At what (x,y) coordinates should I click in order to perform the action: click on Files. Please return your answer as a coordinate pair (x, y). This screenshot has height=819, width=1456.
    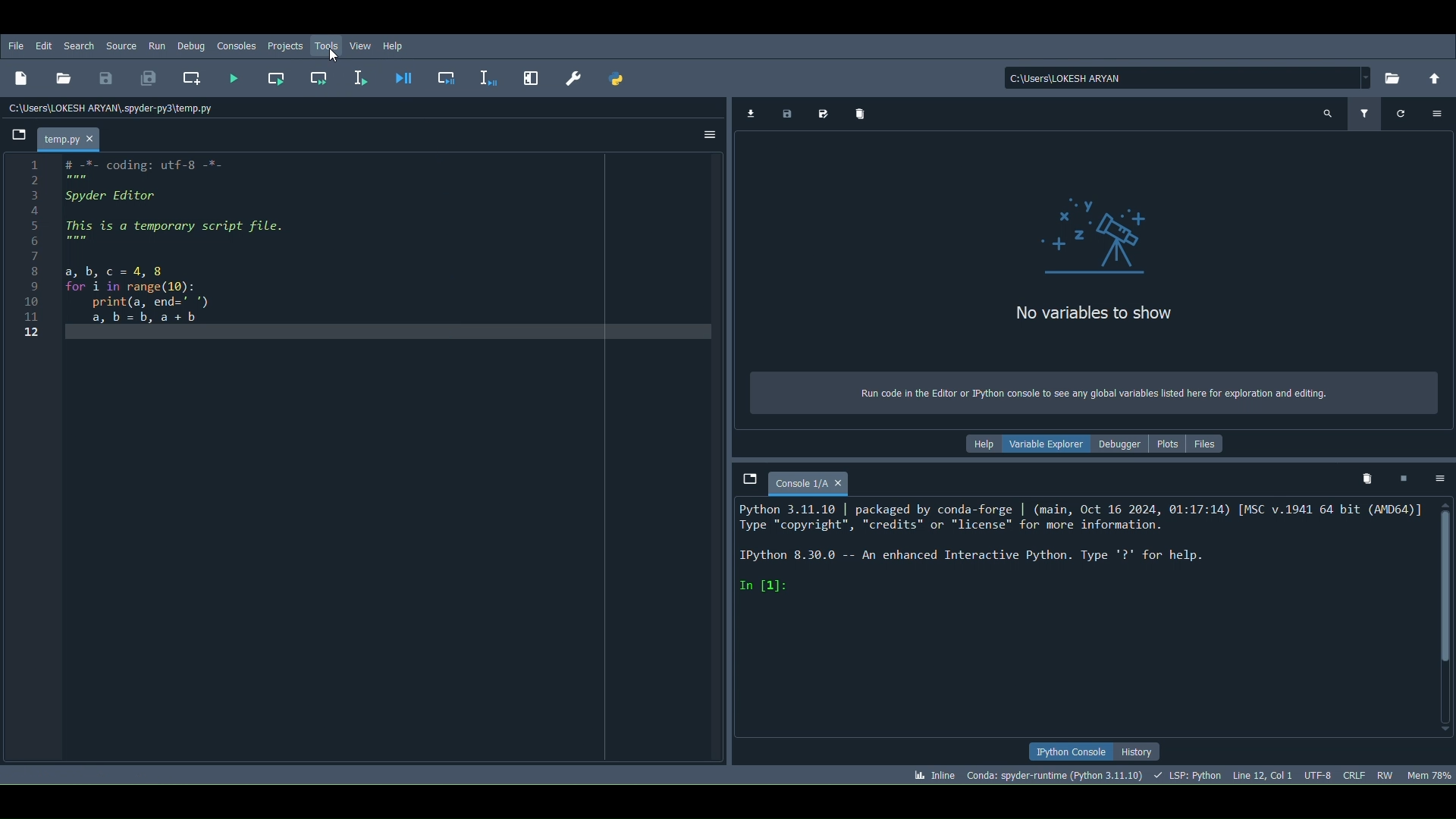
    Looking at the image, I should click on (1208, 447).